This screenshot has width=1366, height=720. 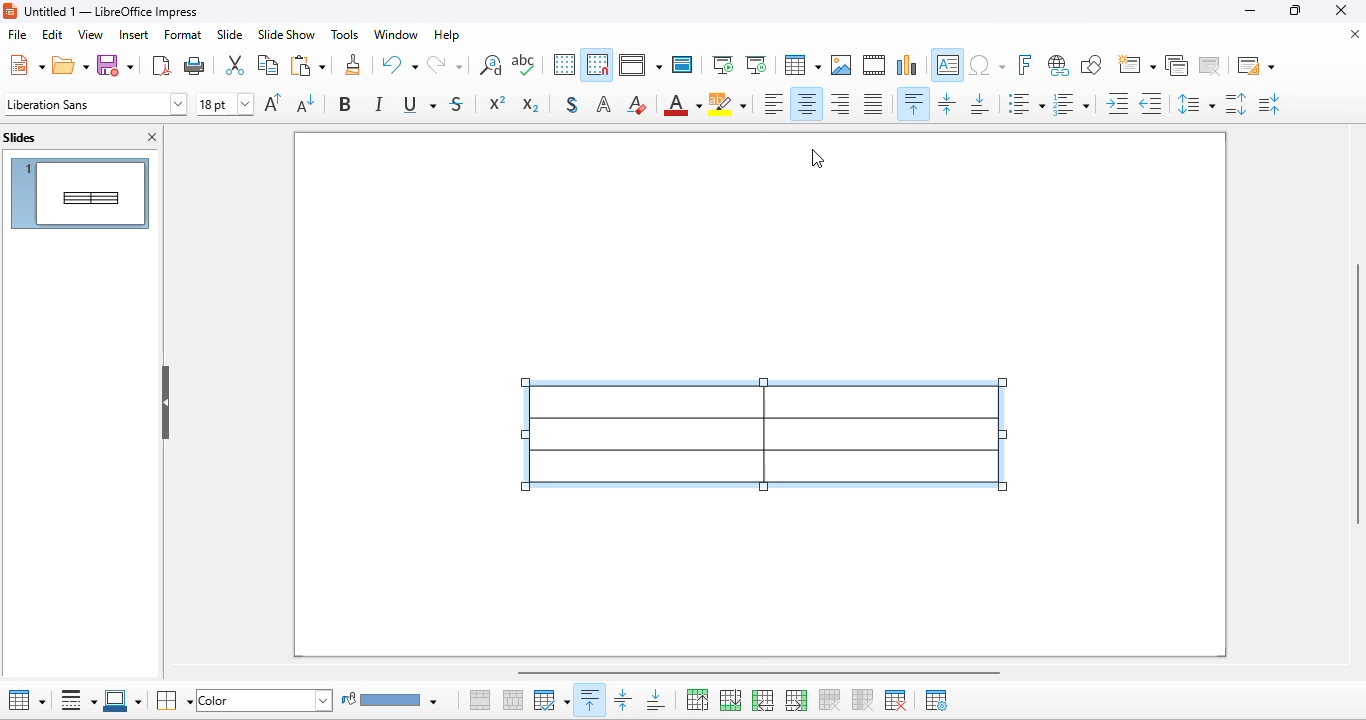 What do you see at coordinates (95, 104) in the screenshot?
I see `font name` at bounding box center [95, 104].